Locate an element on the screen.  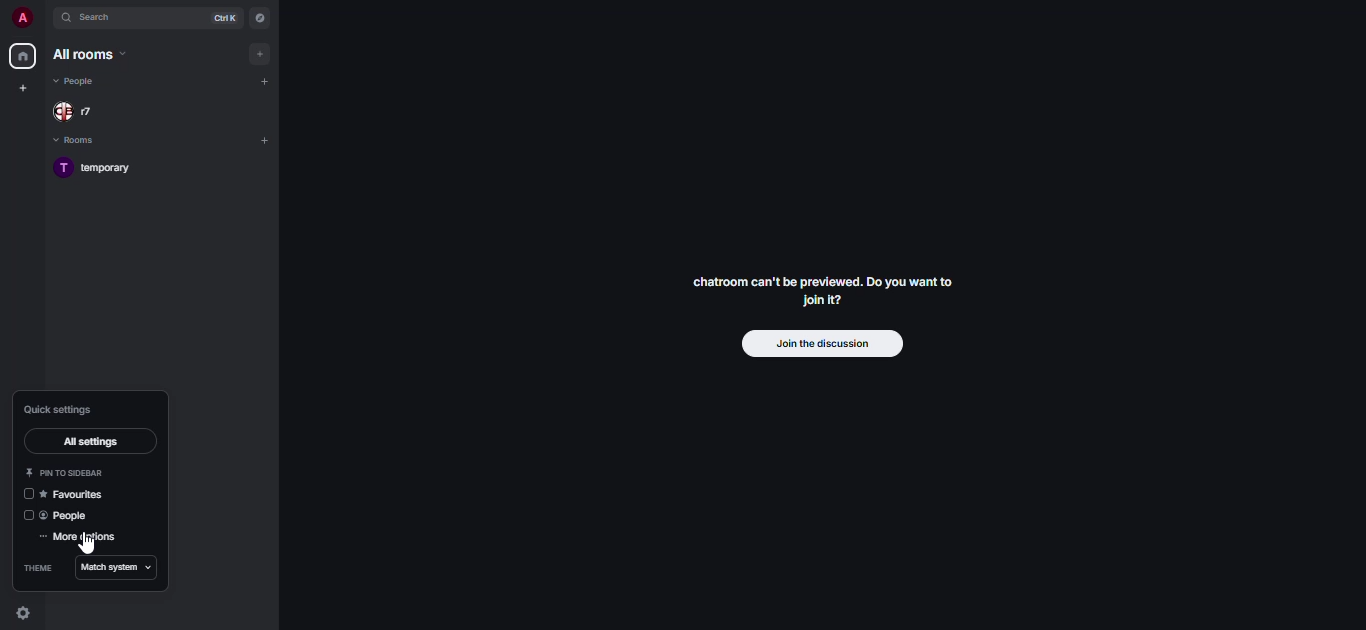
quick settings is located at coordinates (24, 614).